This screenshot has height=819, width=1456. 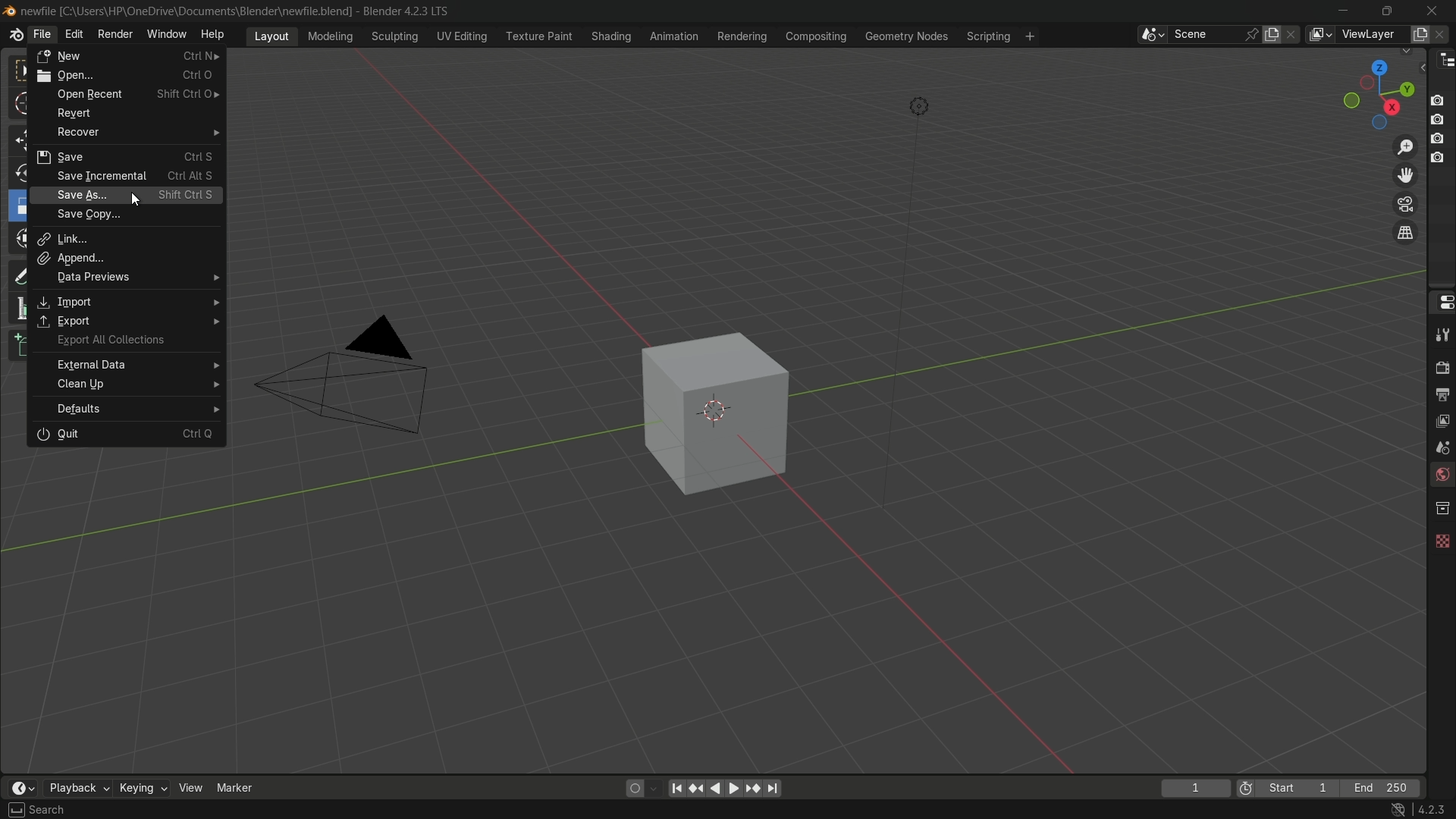 I want to click on open recent, so click(x=127, y=93).